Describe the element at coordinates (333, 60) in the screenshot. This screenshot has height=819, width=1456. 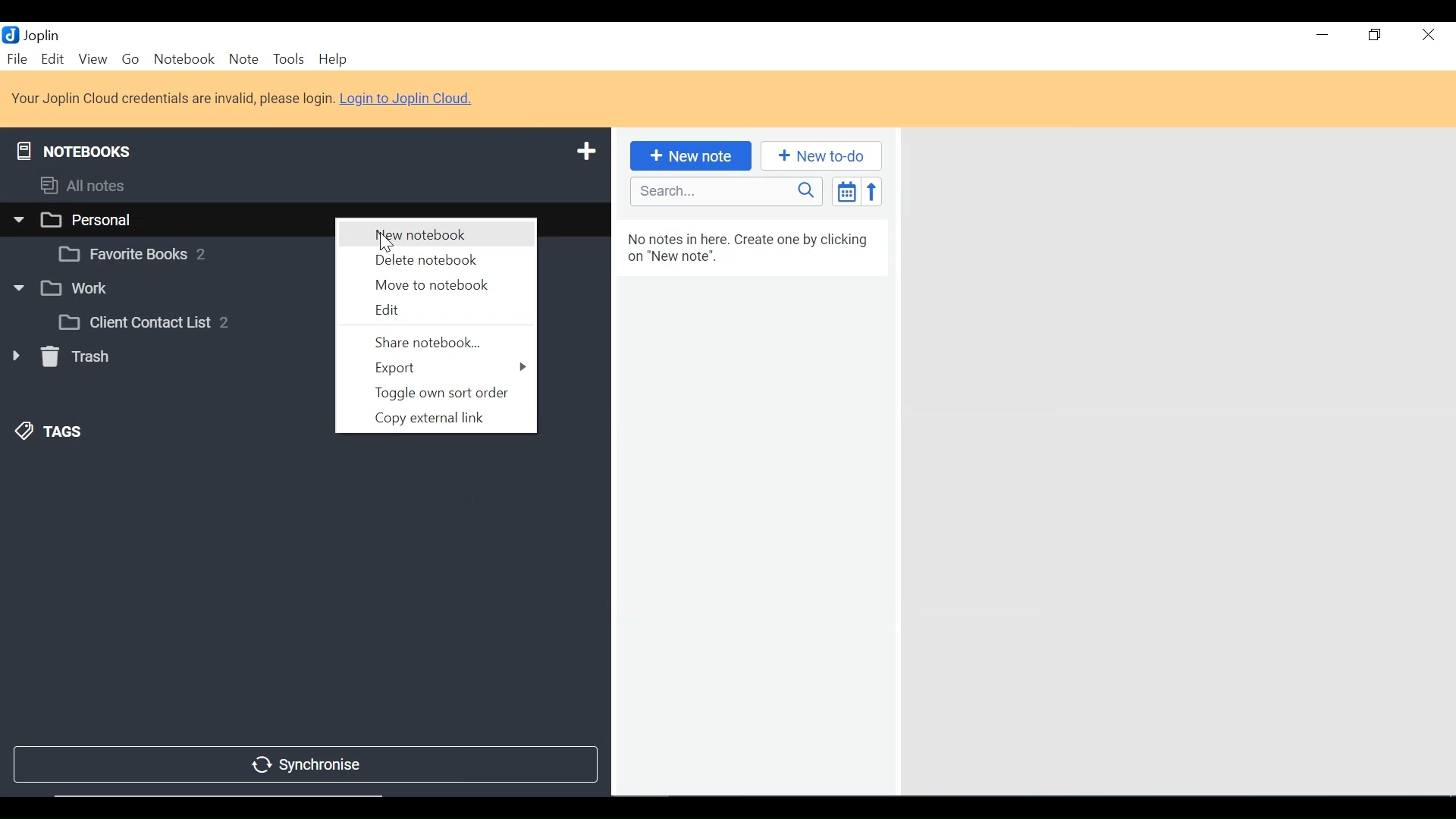
I see `Help` at that location.